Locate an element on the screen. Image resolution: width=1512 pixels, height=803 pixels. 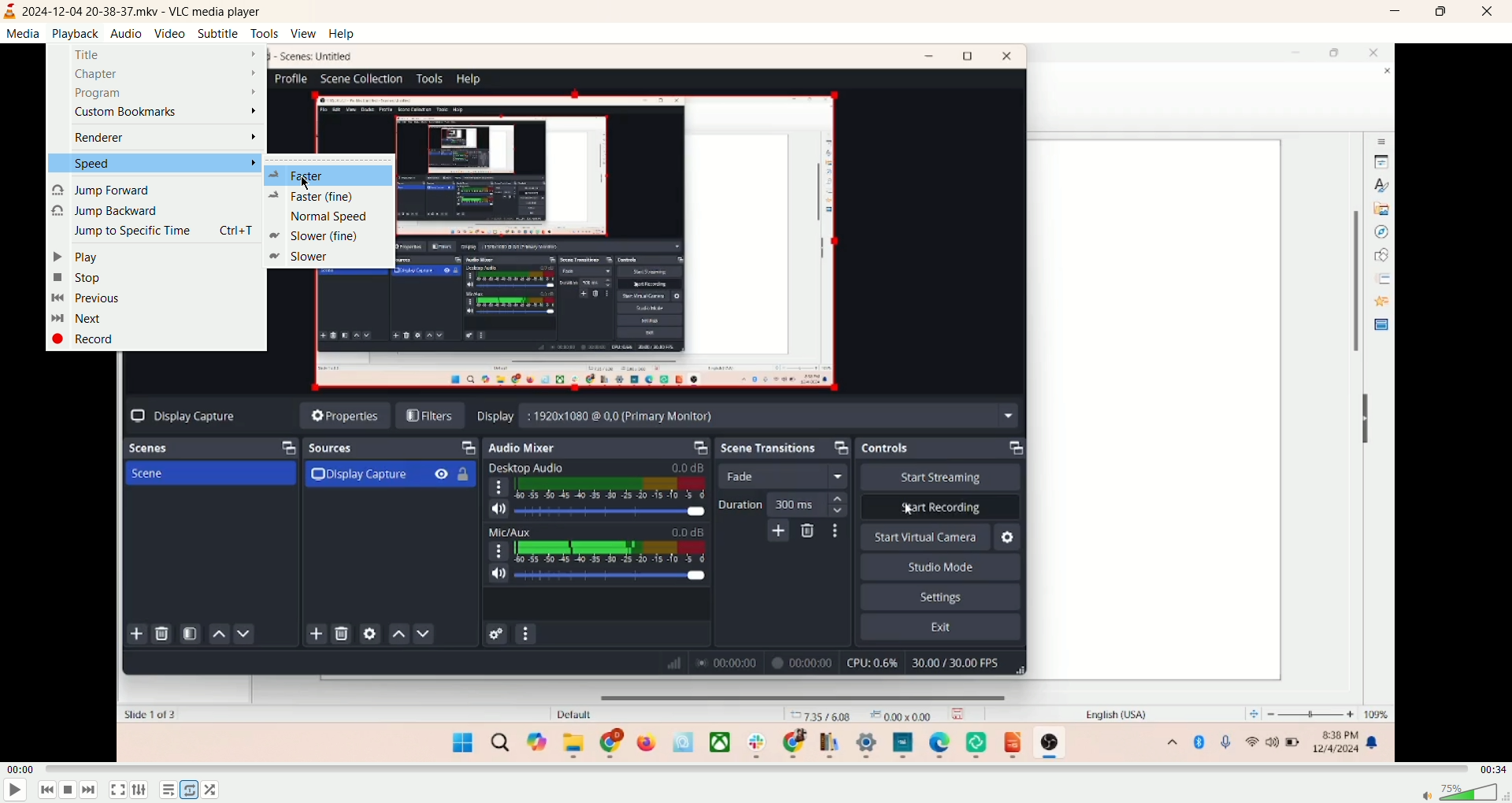
cursor is located at coordinates (306, 181).